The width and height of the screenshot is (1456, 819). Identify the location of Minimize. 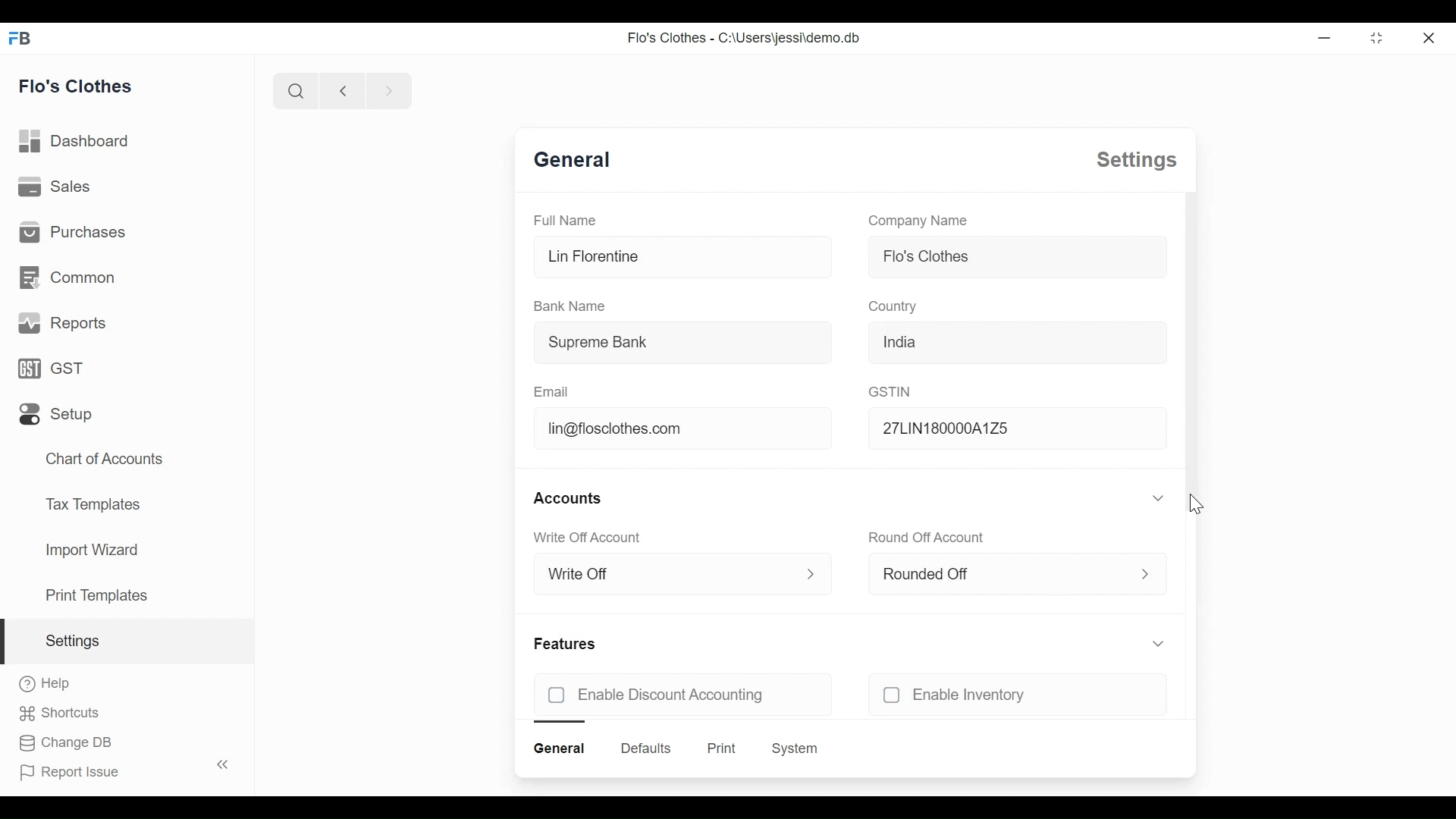
(1322, 37).